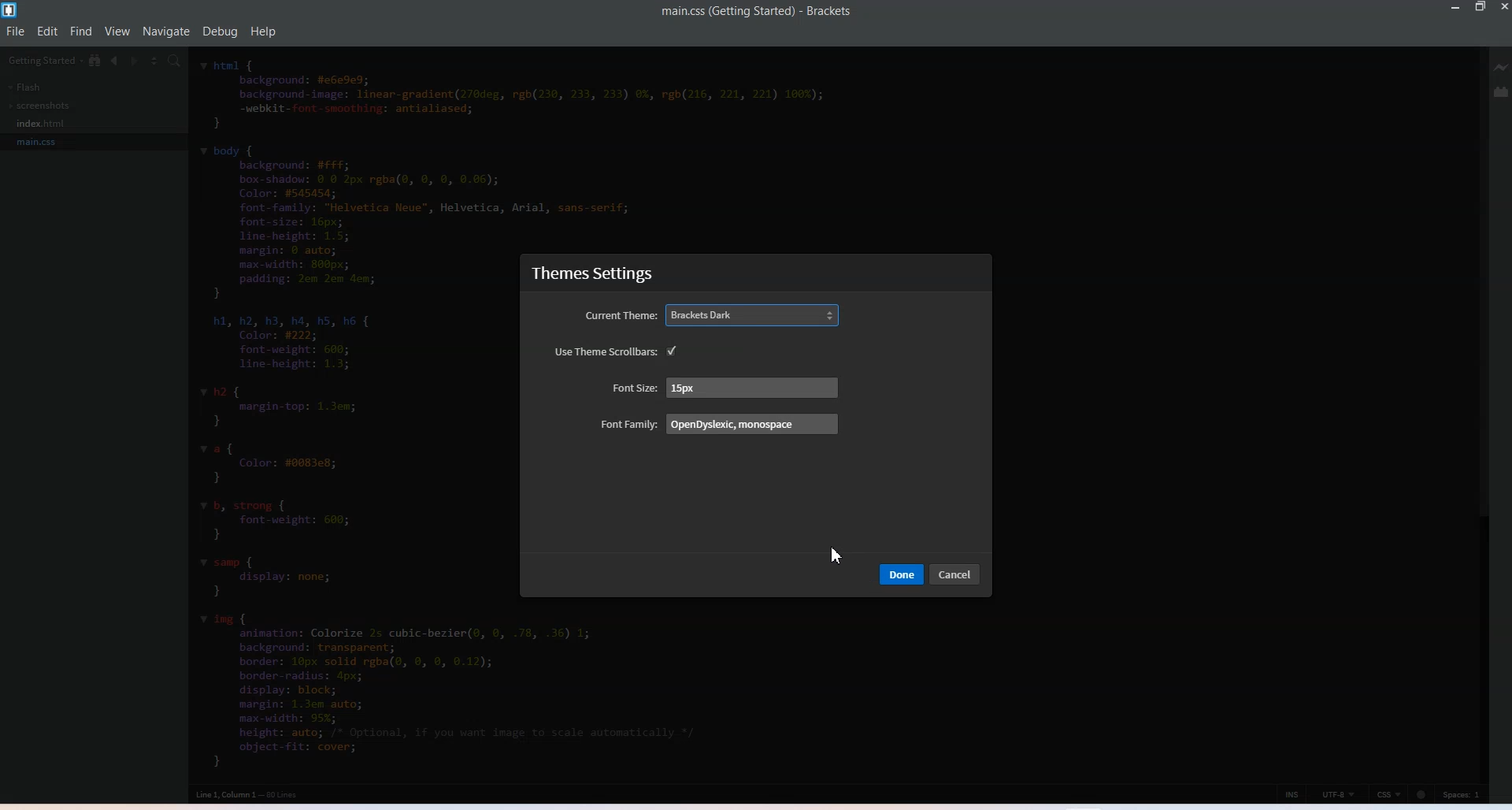  Describe the element at coordinates (40, 106) in the screenshot. I see `Screenshots` at that location.